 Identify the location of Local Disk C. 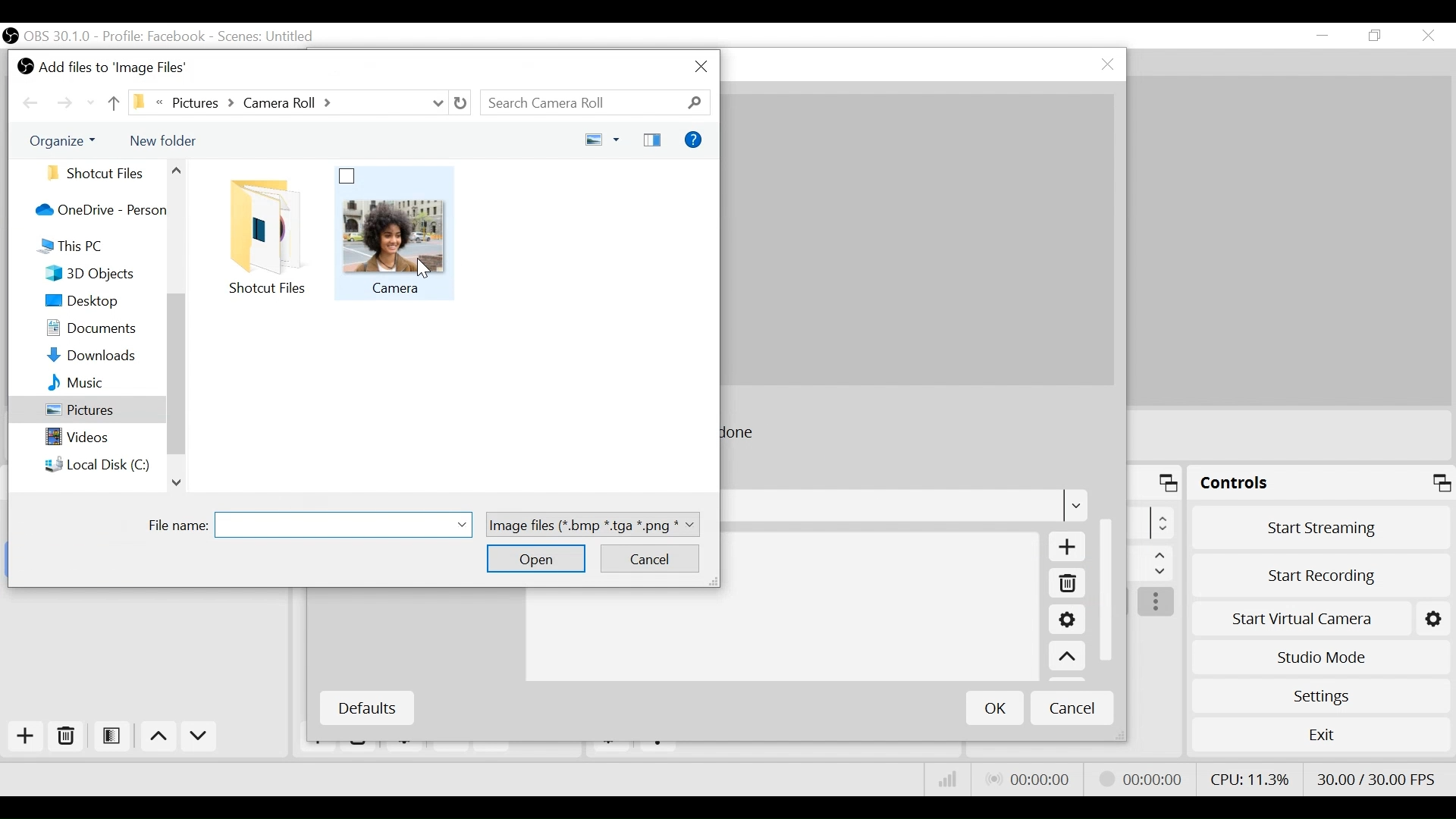
(102, 467).